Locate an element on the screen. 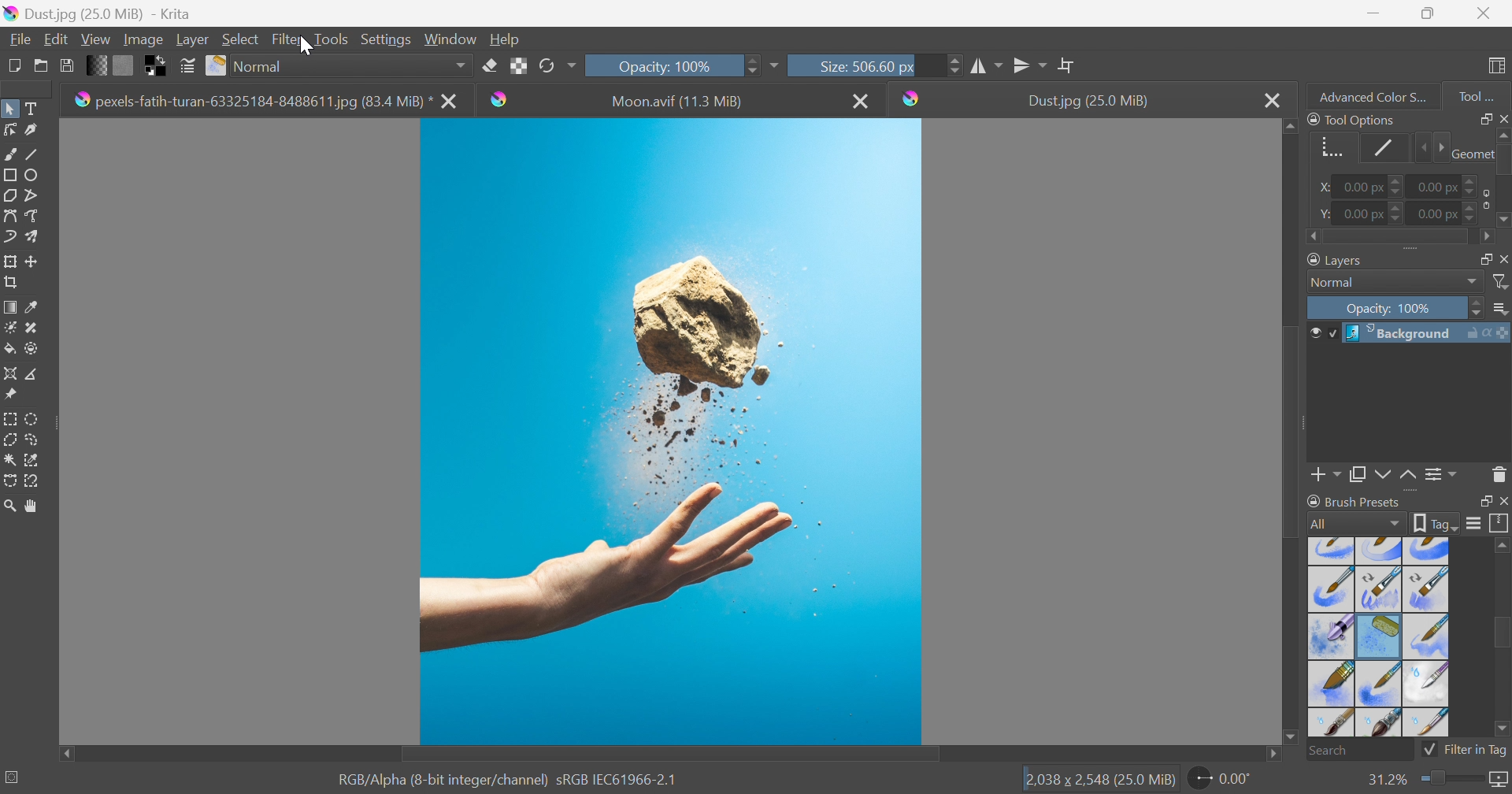 This screenshot has width=1512, height=794. Slider is located at coordinates (1503, 179).